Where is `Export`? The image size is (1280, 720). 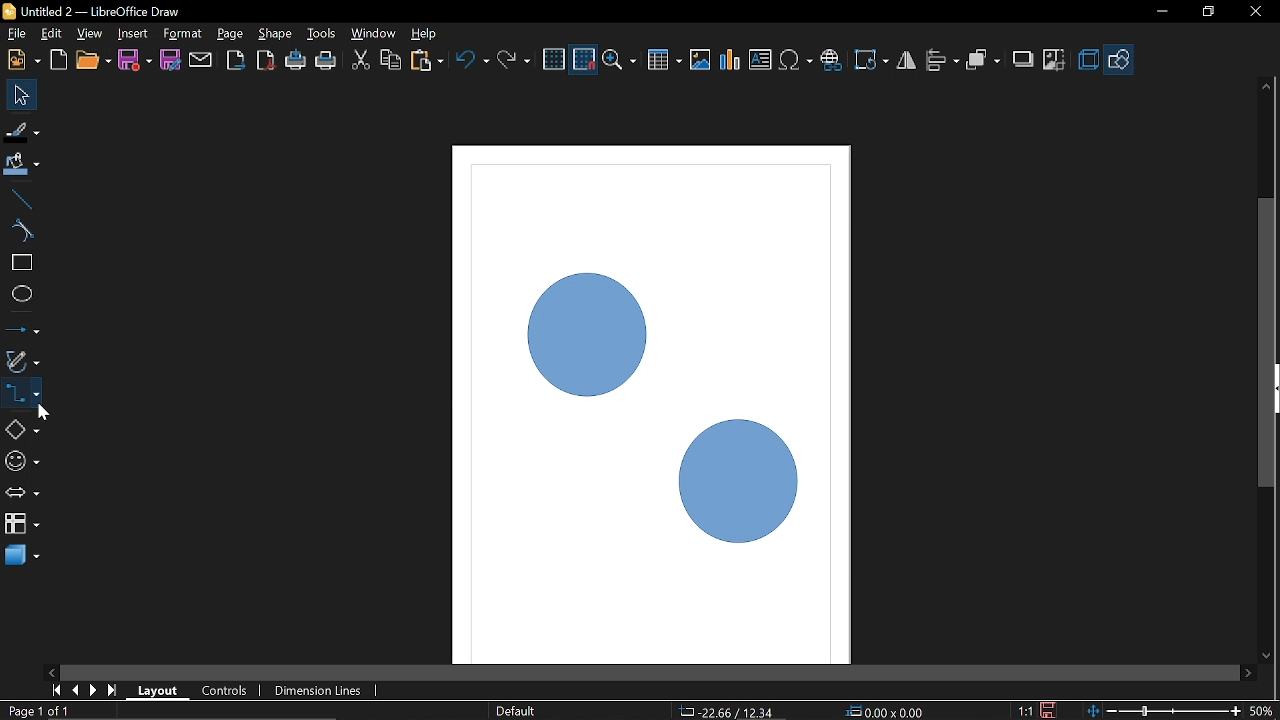
Export is located at coordinates (237, 60).